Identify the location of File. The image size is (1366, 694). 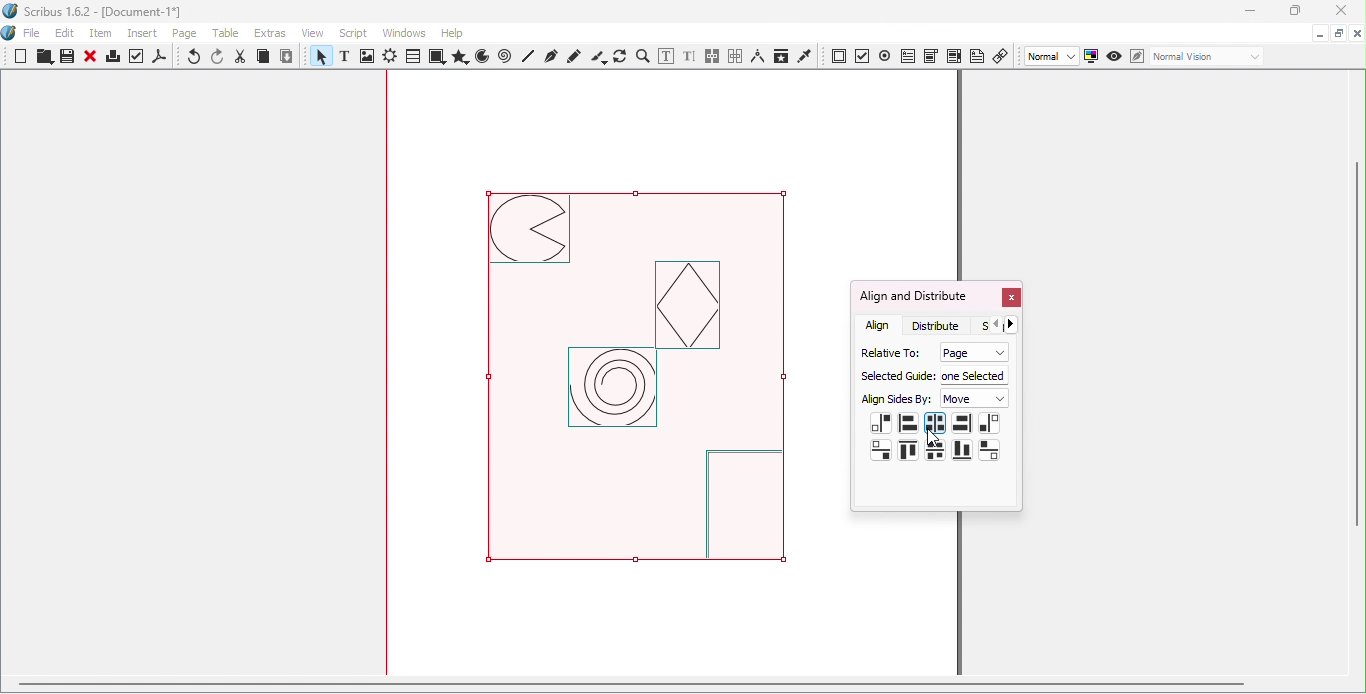
(32, 34).